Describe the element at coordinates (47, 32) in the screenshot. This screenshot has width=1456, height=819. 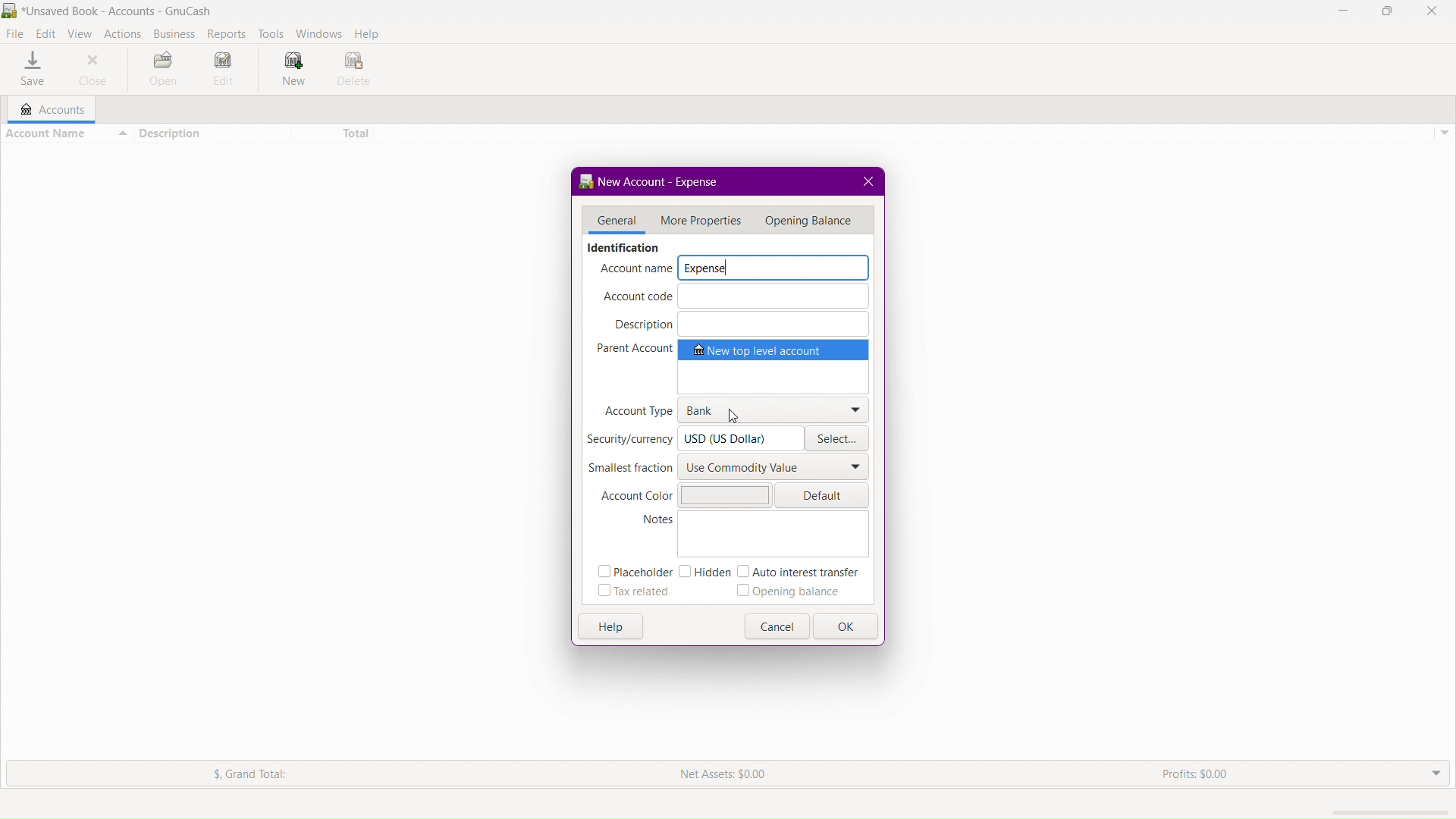
I see `Edit` at that location.